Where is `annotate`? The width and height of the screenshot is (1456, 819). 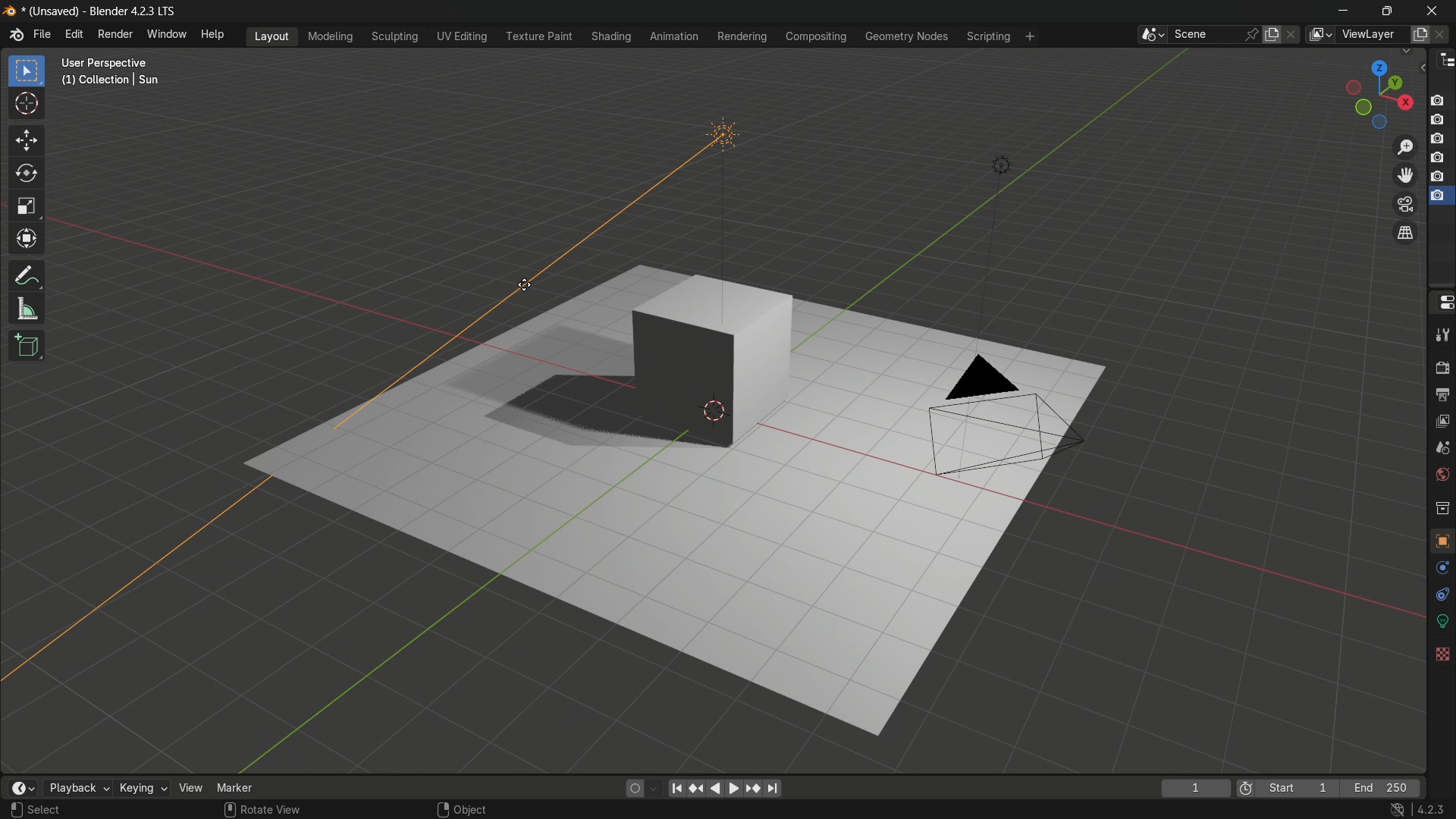
annotate is located at coordinates (28, 277).